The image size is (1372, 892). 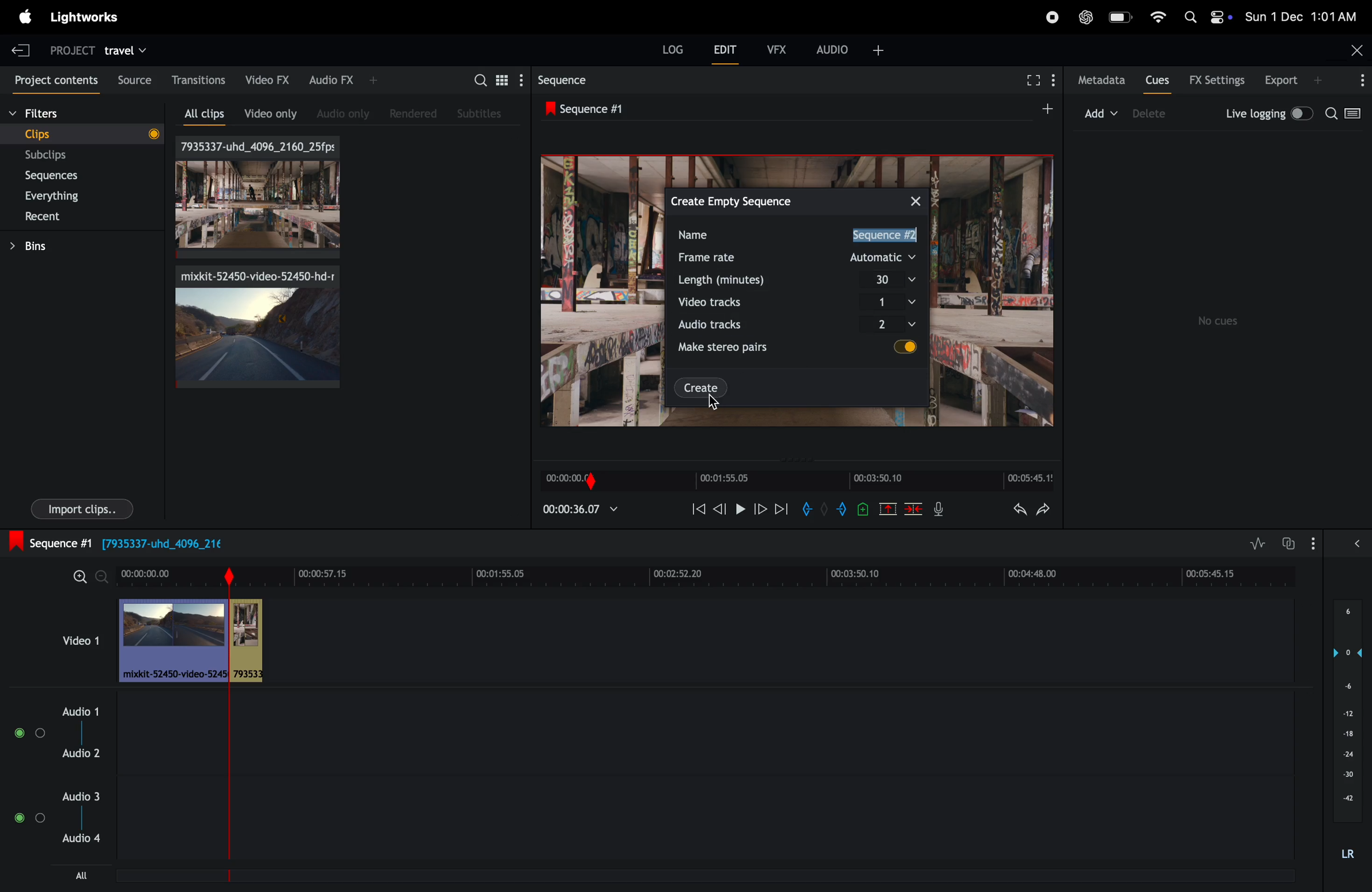 What do you see at coordinates (82, 508) in the screenshot?
I see `import clips` at bounding box center [82, 508].